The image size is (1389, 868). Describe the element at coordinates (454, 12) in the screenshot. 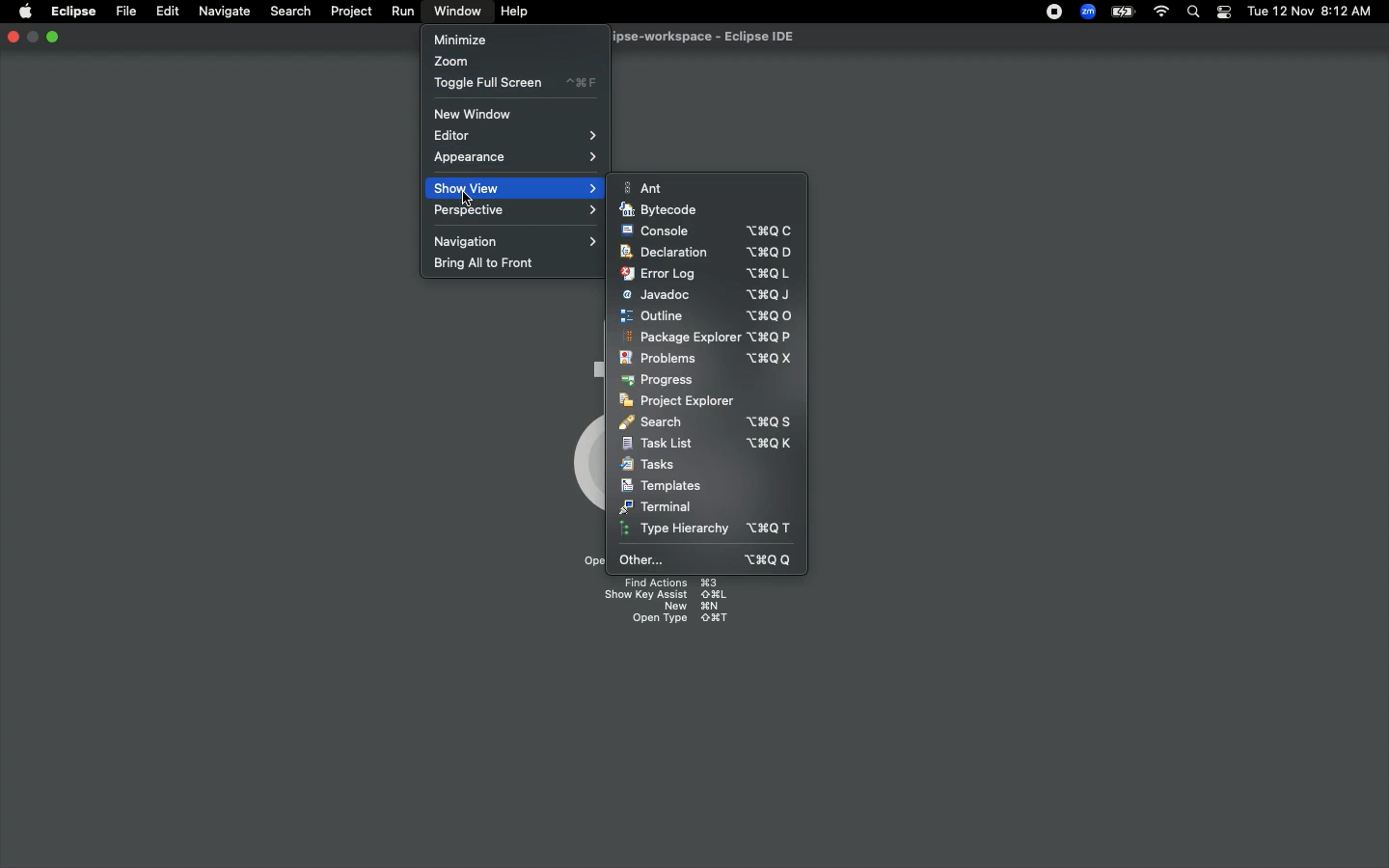

I see `Window` at that location.